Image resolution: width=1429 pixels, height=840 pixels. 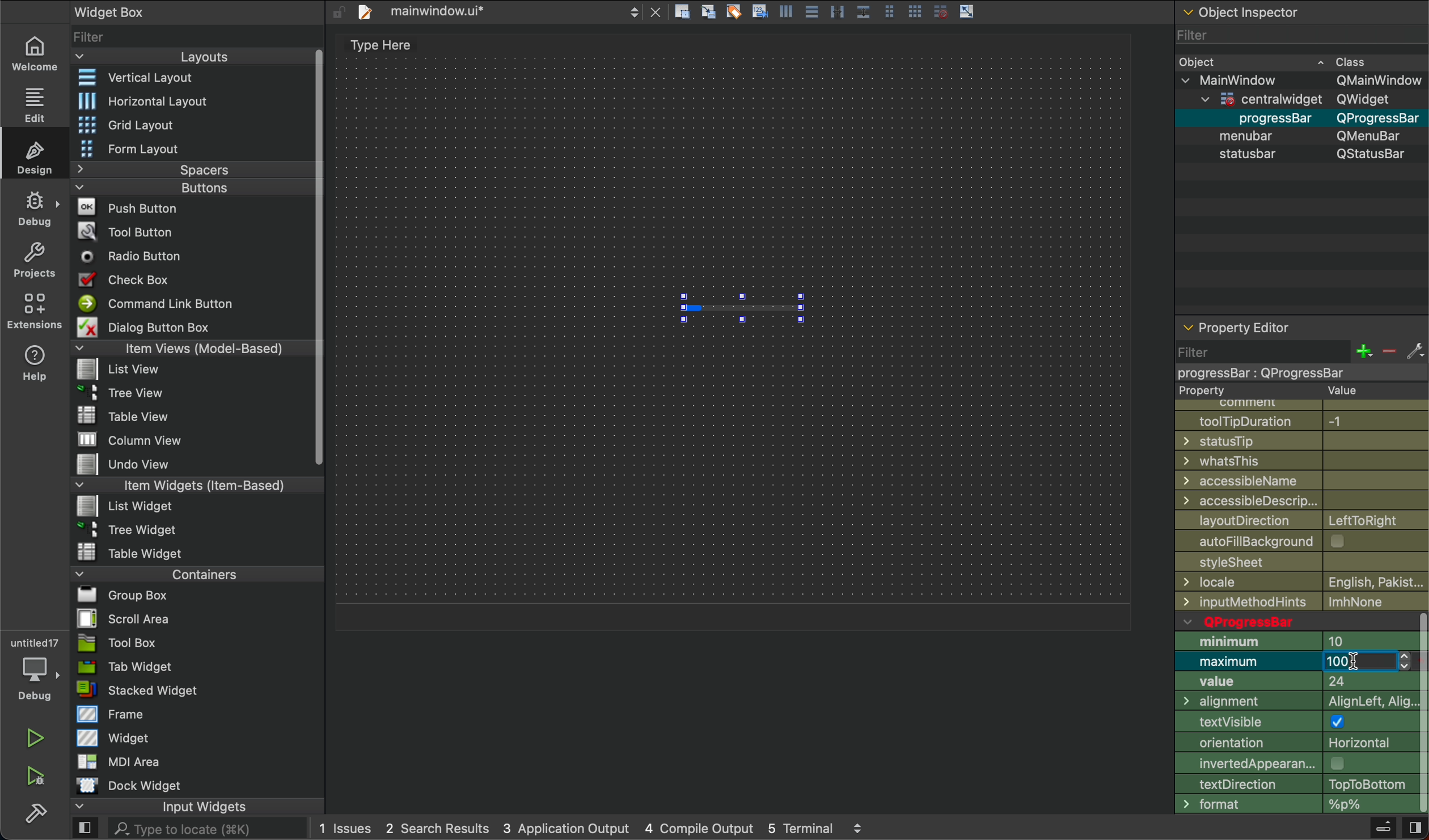 What do you see at coordinates (824, 14) in the screenshot?
I see `layout actions buttons` at bounding box center [824, 14].